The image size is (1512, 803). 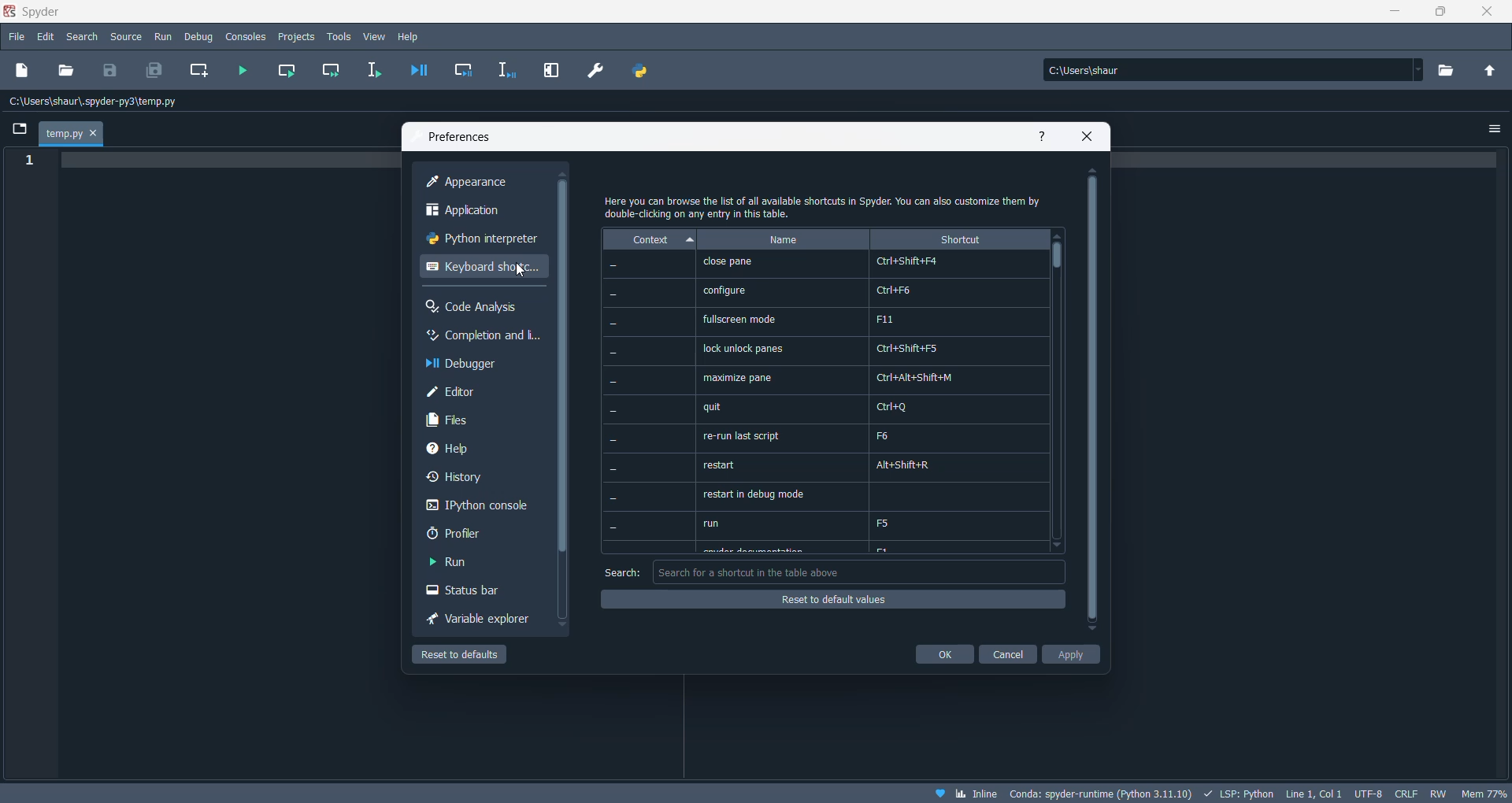 I want to click on files, so click(x=472, y=423).